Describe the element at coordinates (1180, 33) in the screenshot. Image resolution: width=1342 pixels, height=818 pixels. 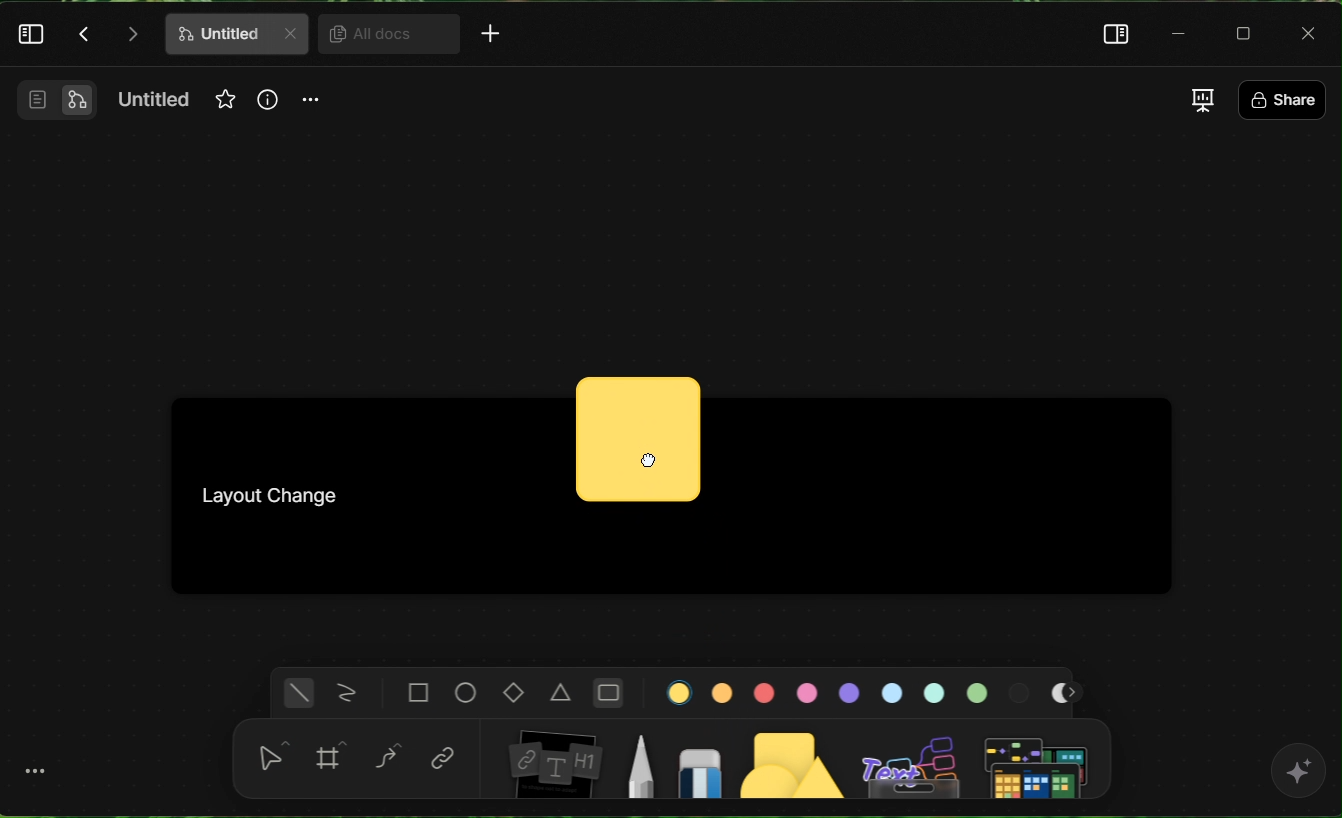
I see `minimize` at that location.